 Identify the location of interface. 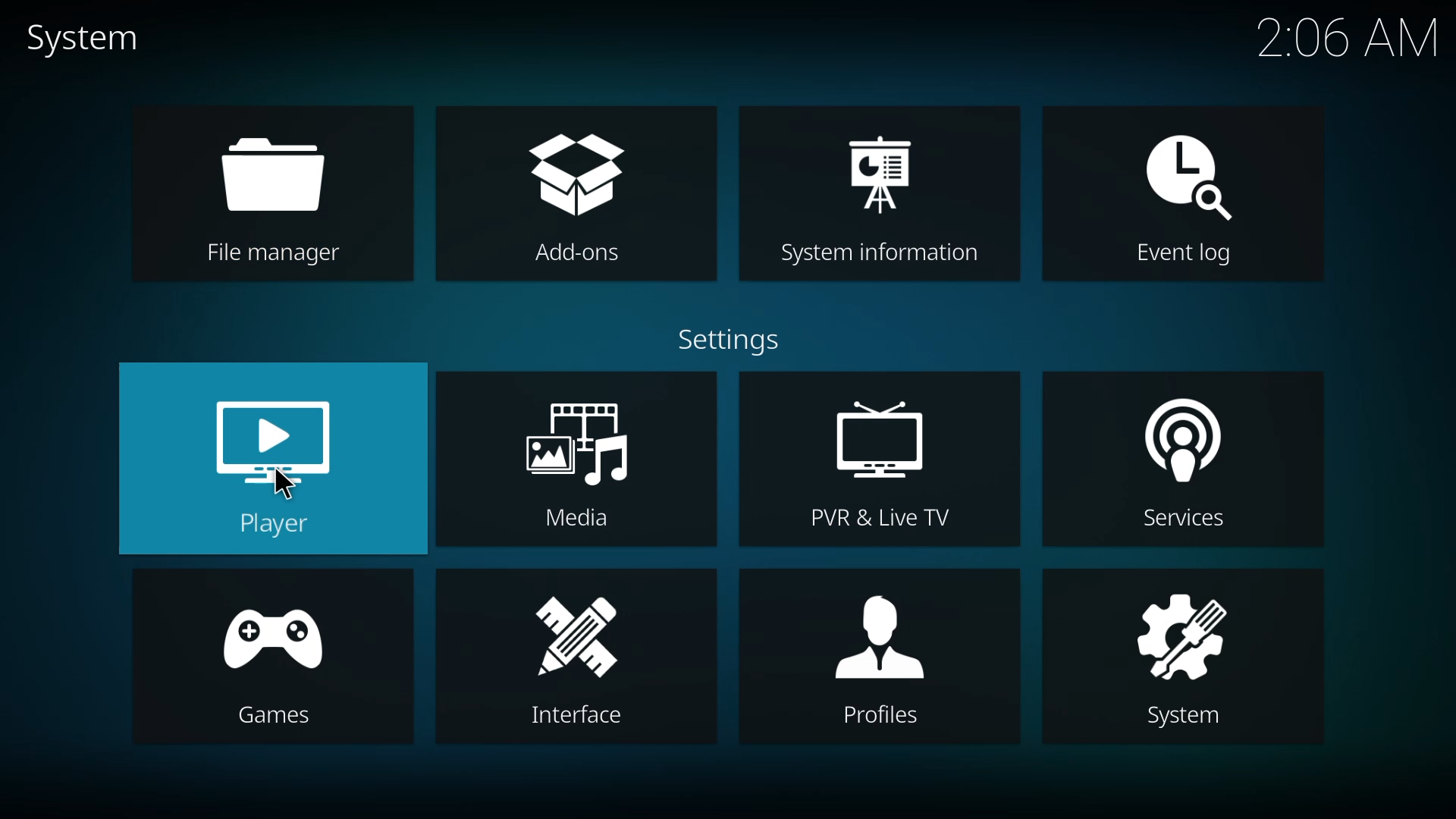
(578, 659).